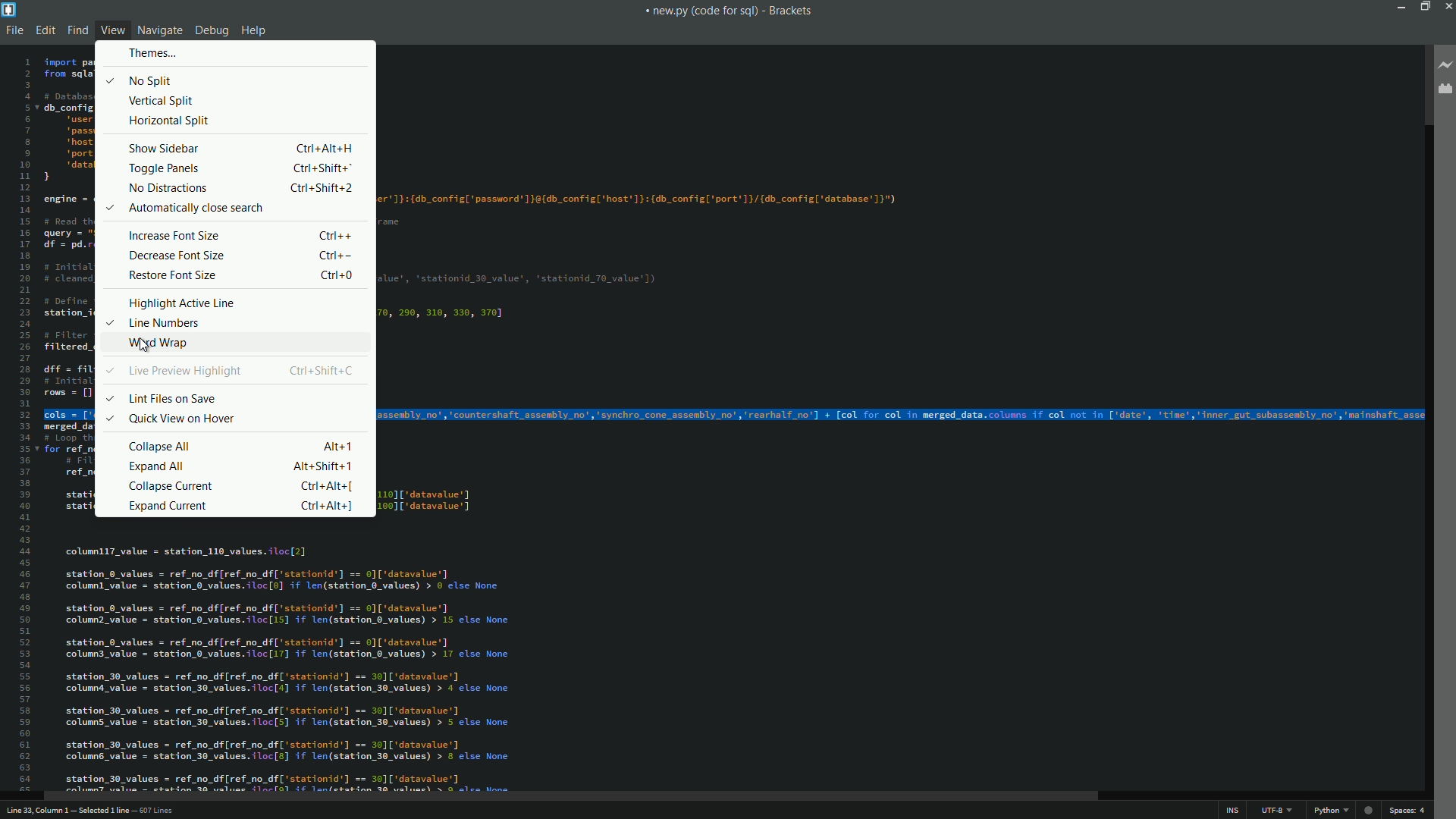 The width and height of the screenshot is (1456, 819). Describe the element at coordinates (158, 465) in the screenshot. I see `expand all` at that location.